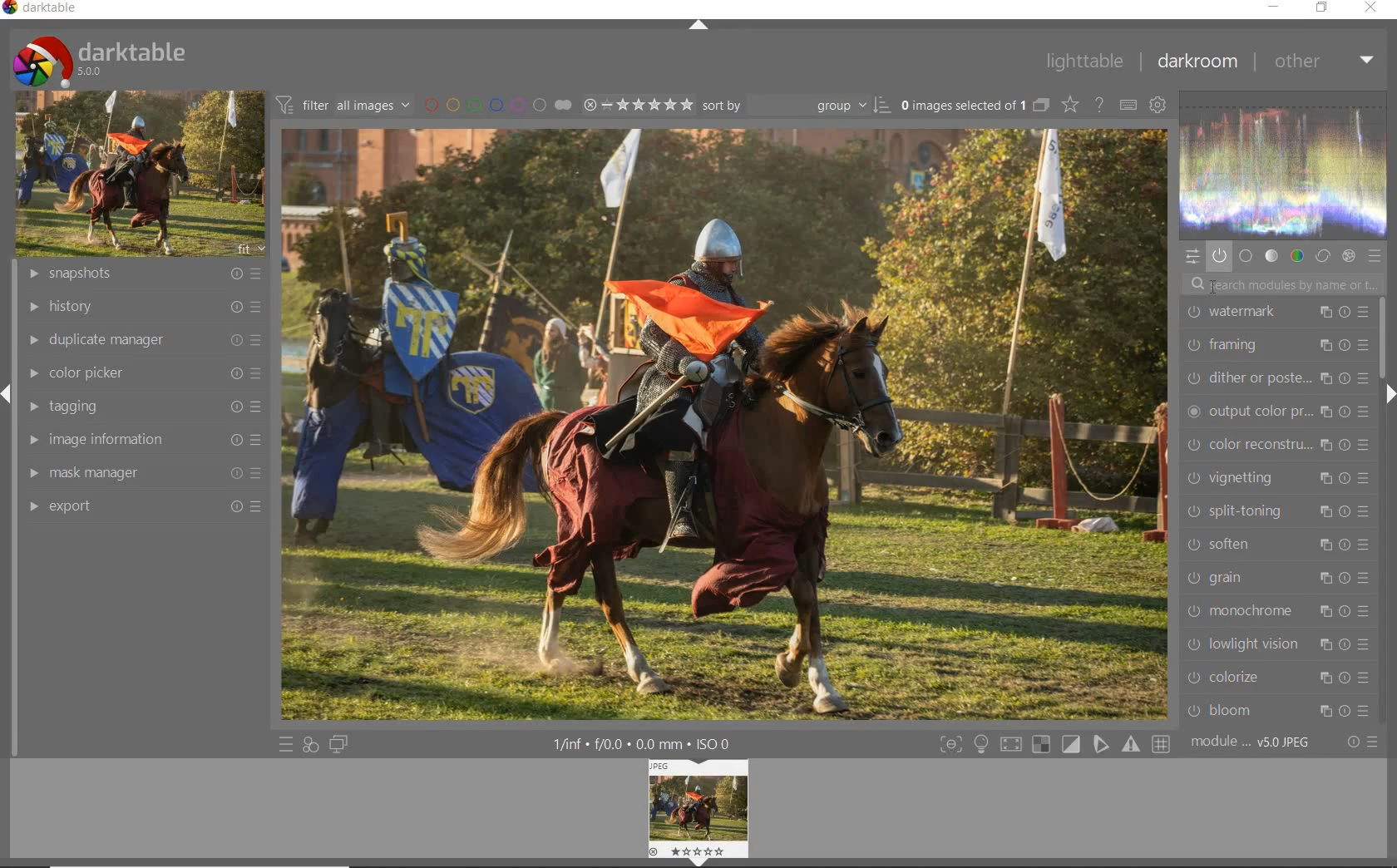  What do you see at coordinates (142, 275) in the screenshot?
I see `snapshots` at bounding box center [142, 275].